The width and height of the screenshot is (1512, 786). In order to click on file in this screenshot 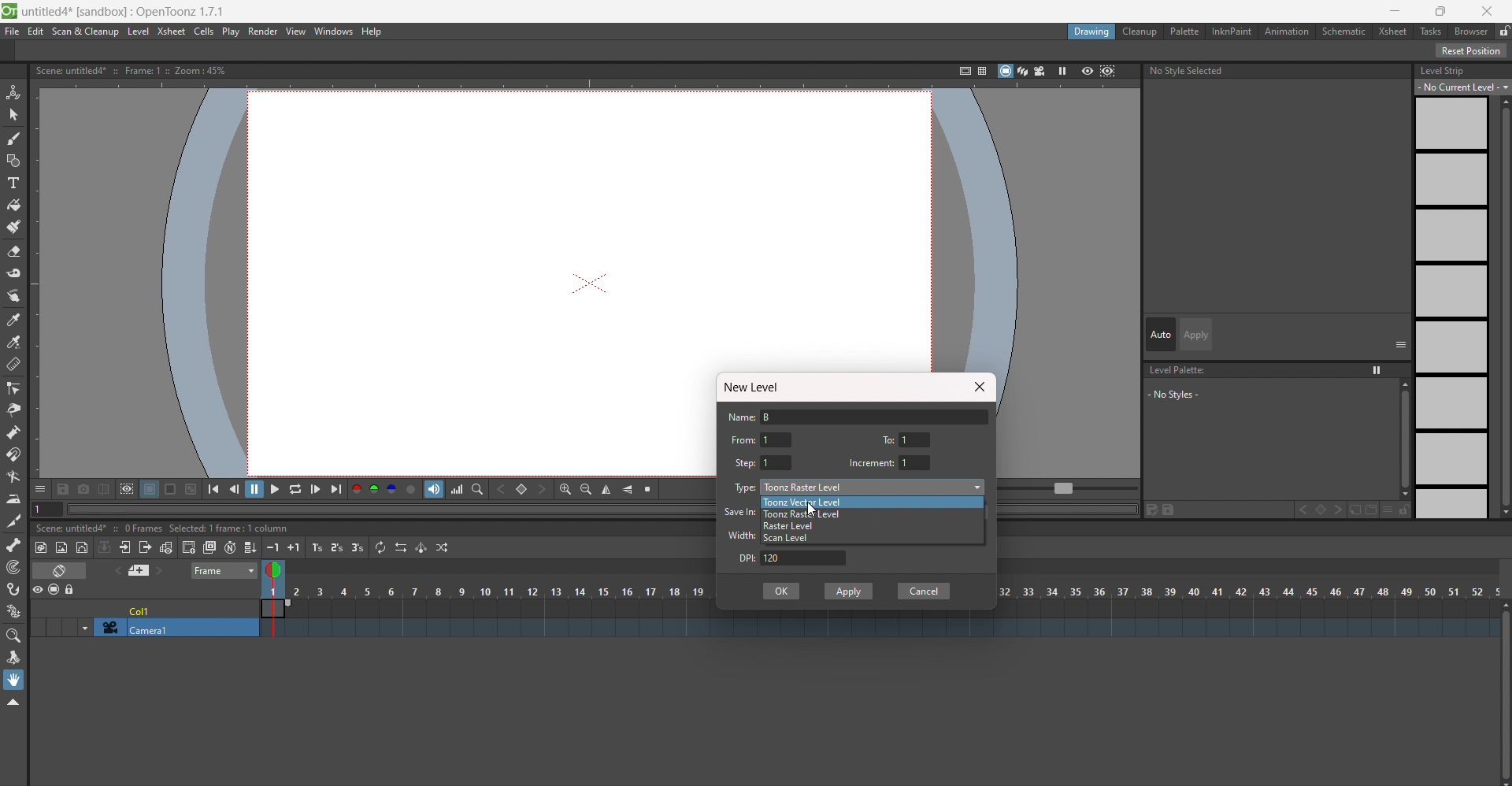, I will do `click(13, 32)`.